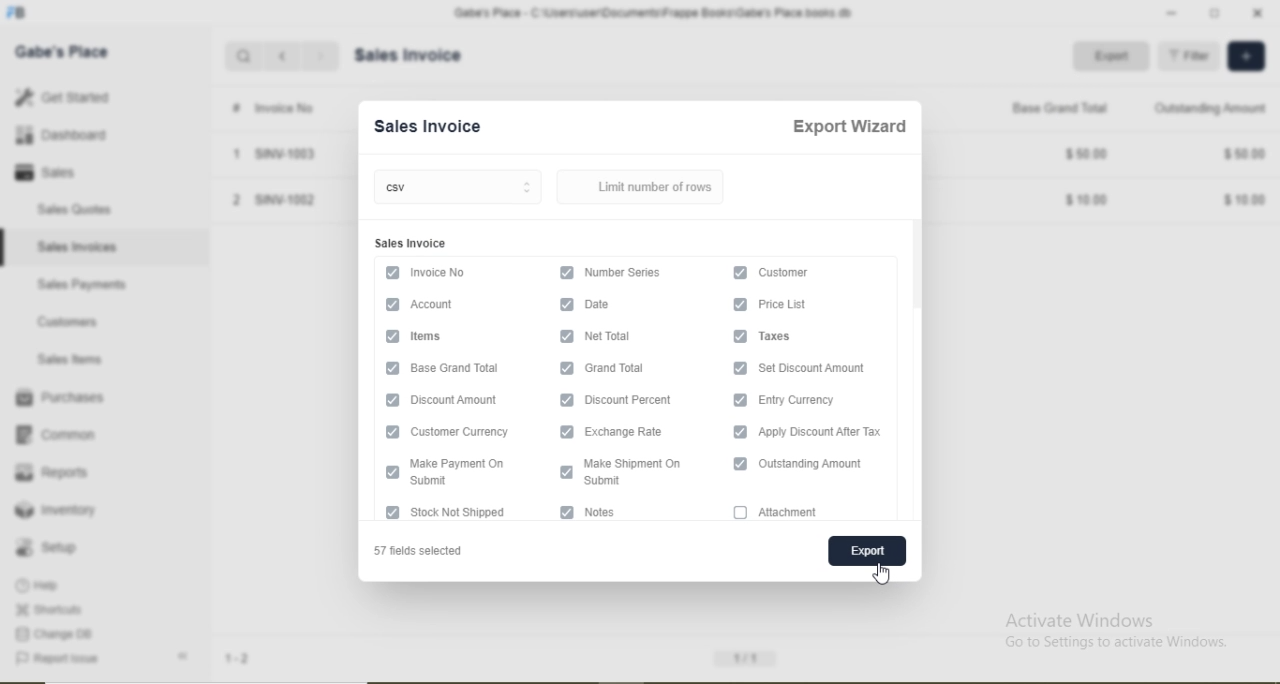 This screenshot has width=1280, height=684. Describe the element at coordinates (390, 400) in the screenshot. I see `checkbox` at that location.